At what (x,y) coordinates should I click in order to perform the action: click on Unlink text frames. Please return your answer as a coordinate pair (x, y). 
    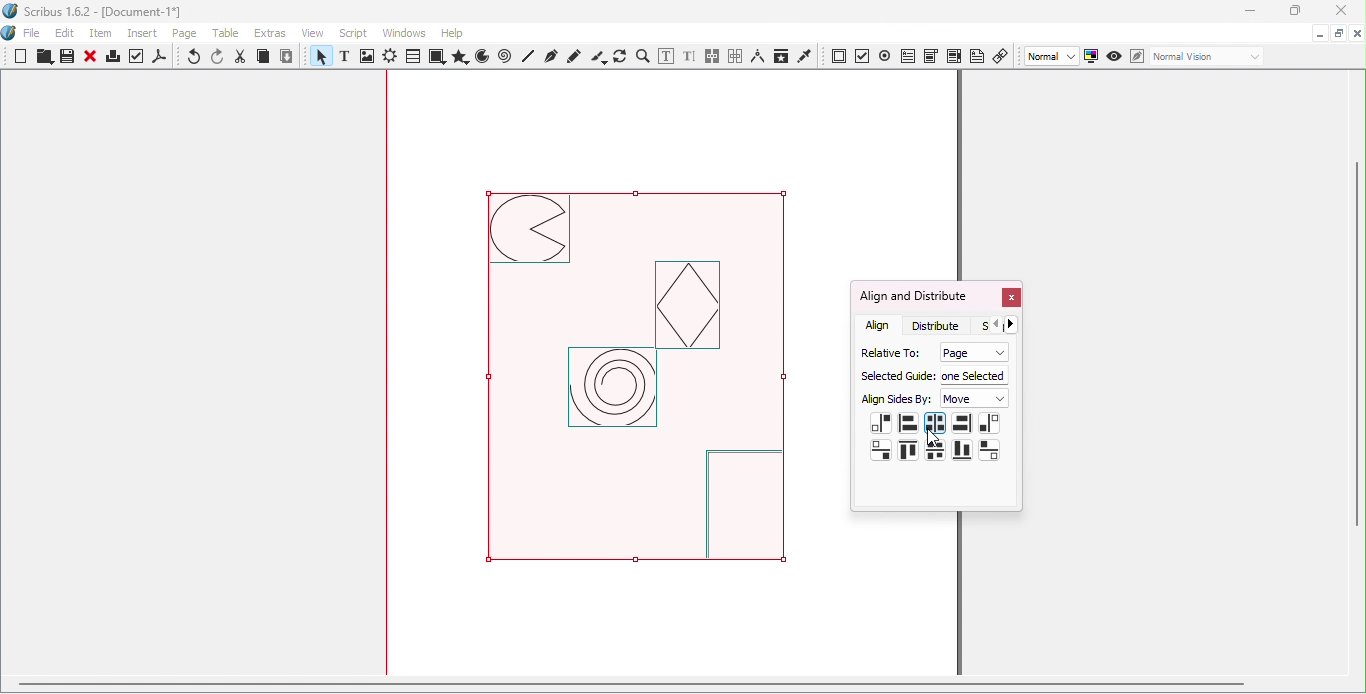
    Looking at the image, I should click on (735, 56).